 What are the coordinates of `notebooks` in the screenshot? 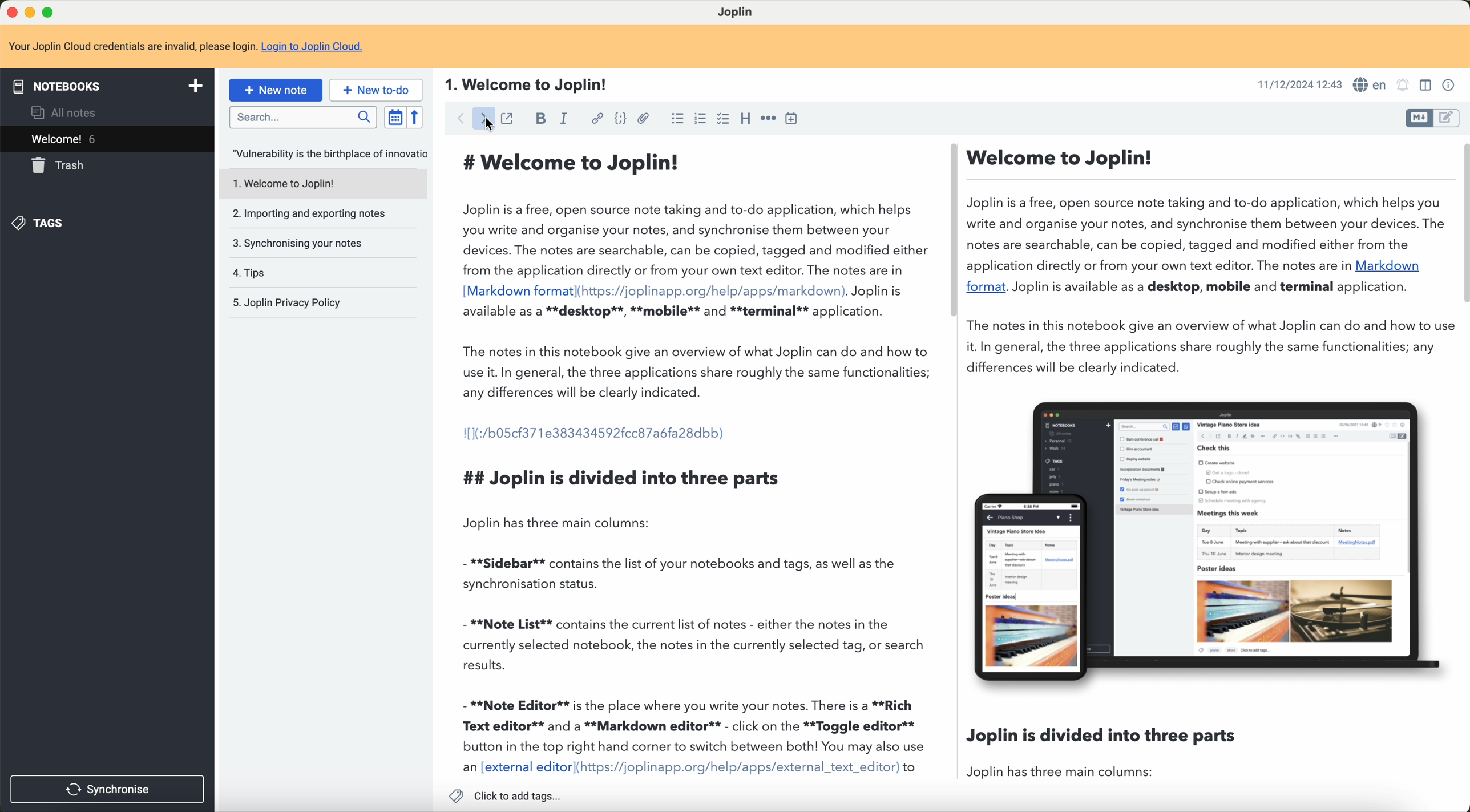 It's located at (106, 87).